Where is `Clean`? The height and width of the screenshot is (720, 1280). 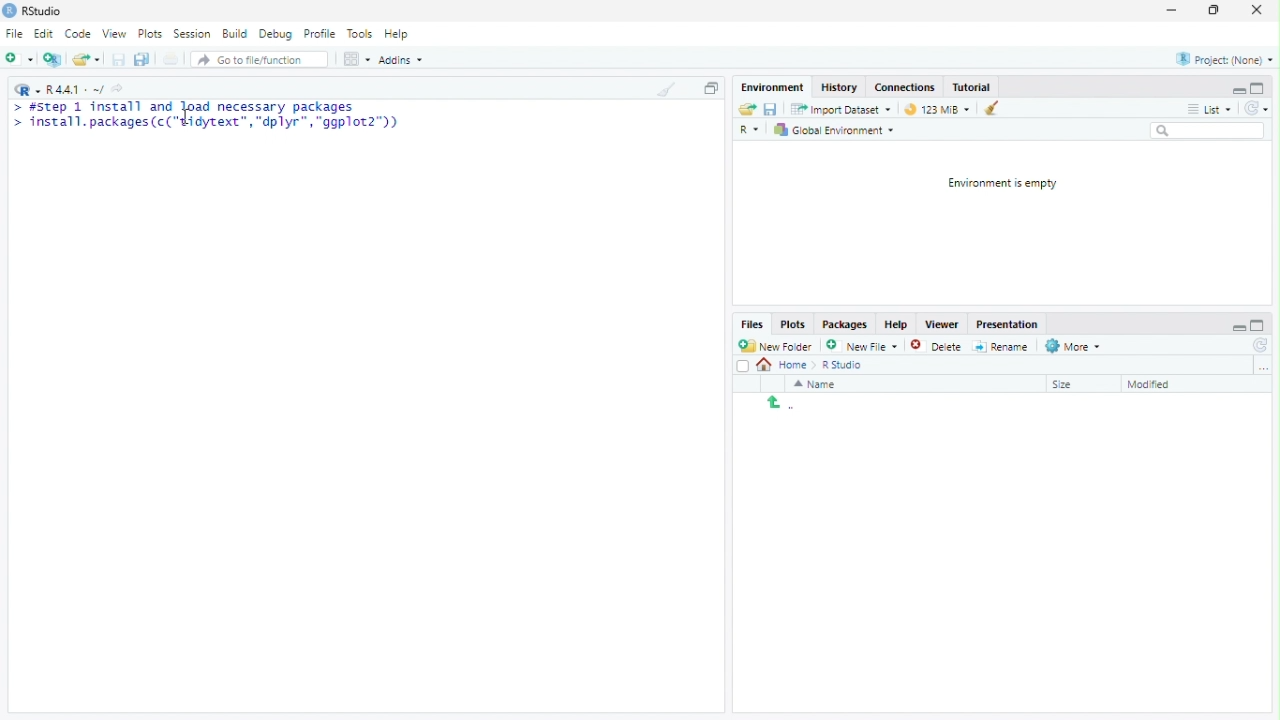 Clean is located at coordinates (987, 108).